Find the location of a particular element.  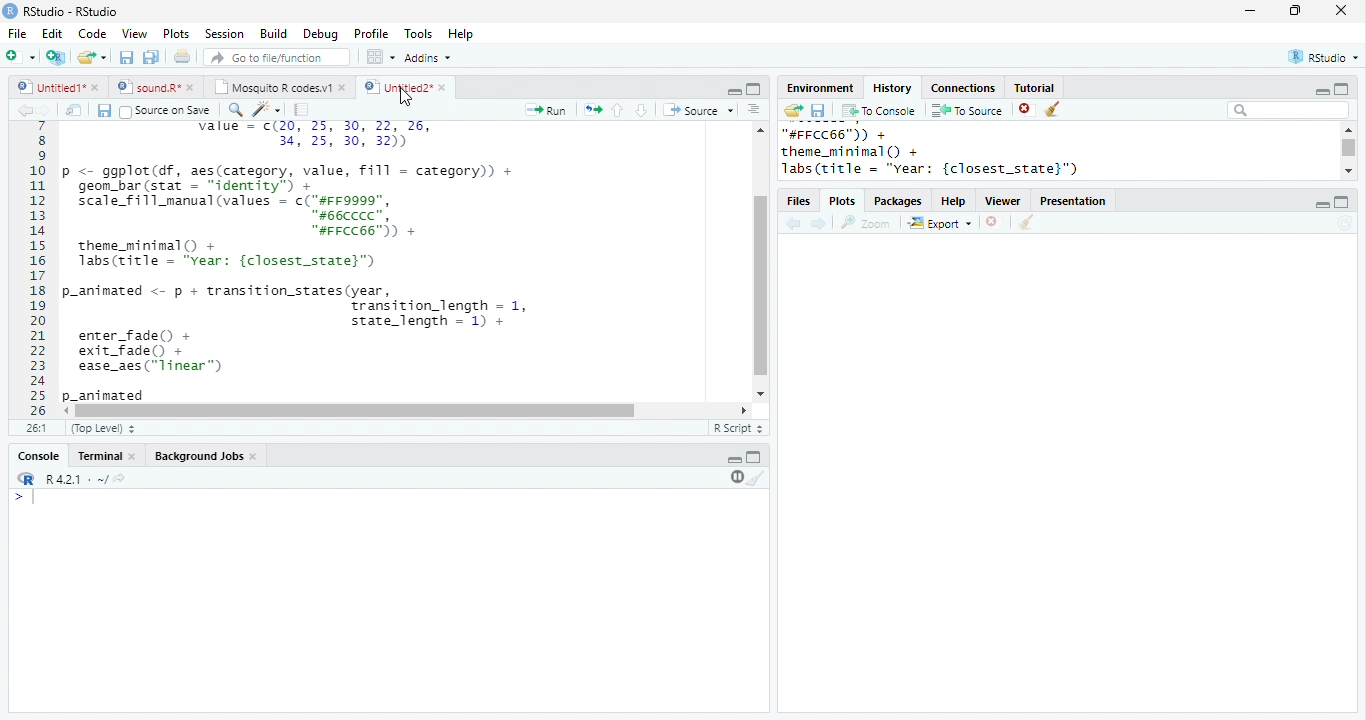

start typing is located at coordinates (26, 497).